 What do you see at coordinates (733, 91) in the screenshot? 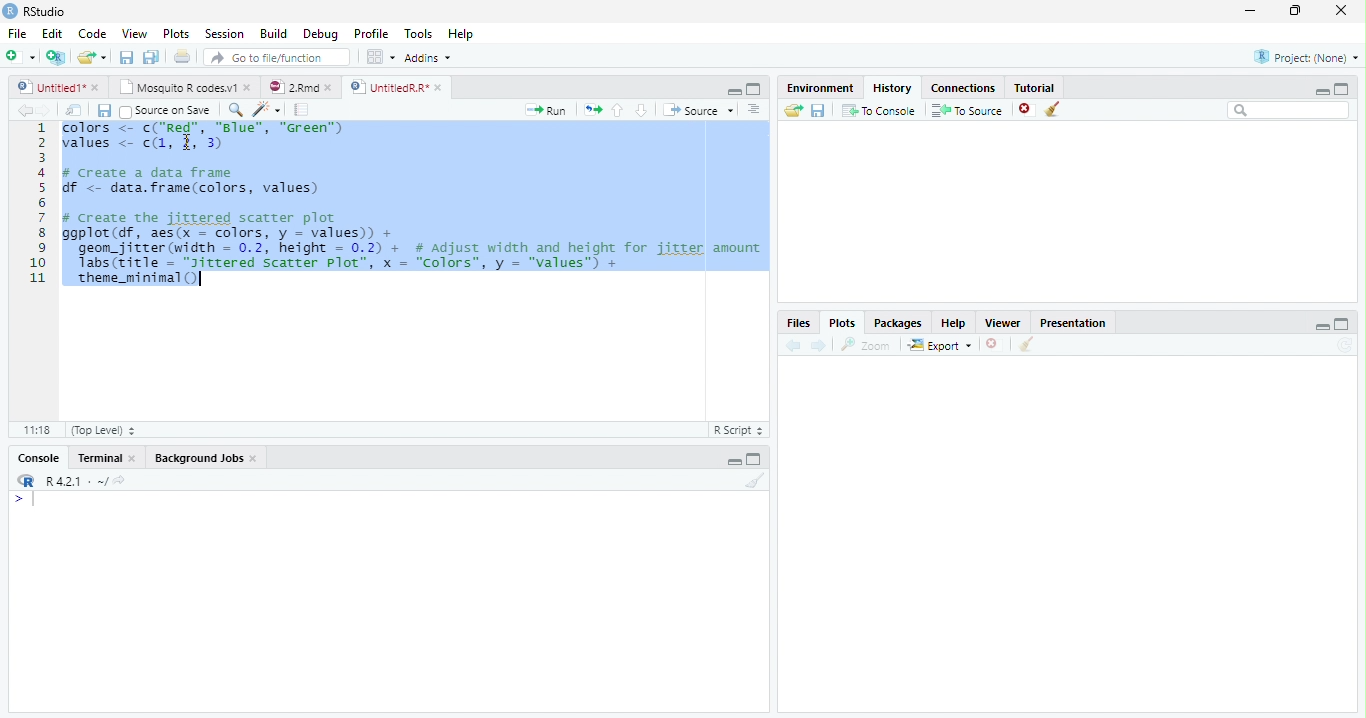
I see `Minimize` at bounding box center [733, 91].